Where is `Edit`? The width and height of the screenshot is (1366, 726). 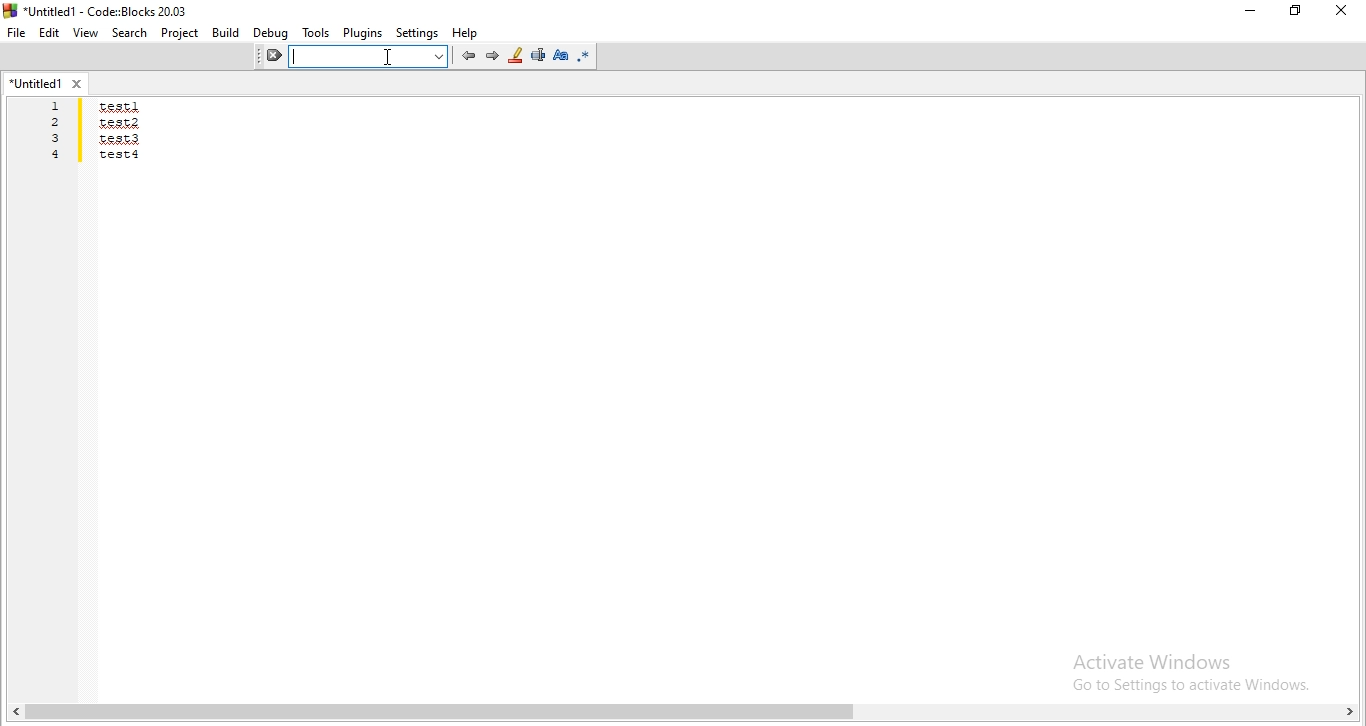
Edit is located at coordinates (49, 33).